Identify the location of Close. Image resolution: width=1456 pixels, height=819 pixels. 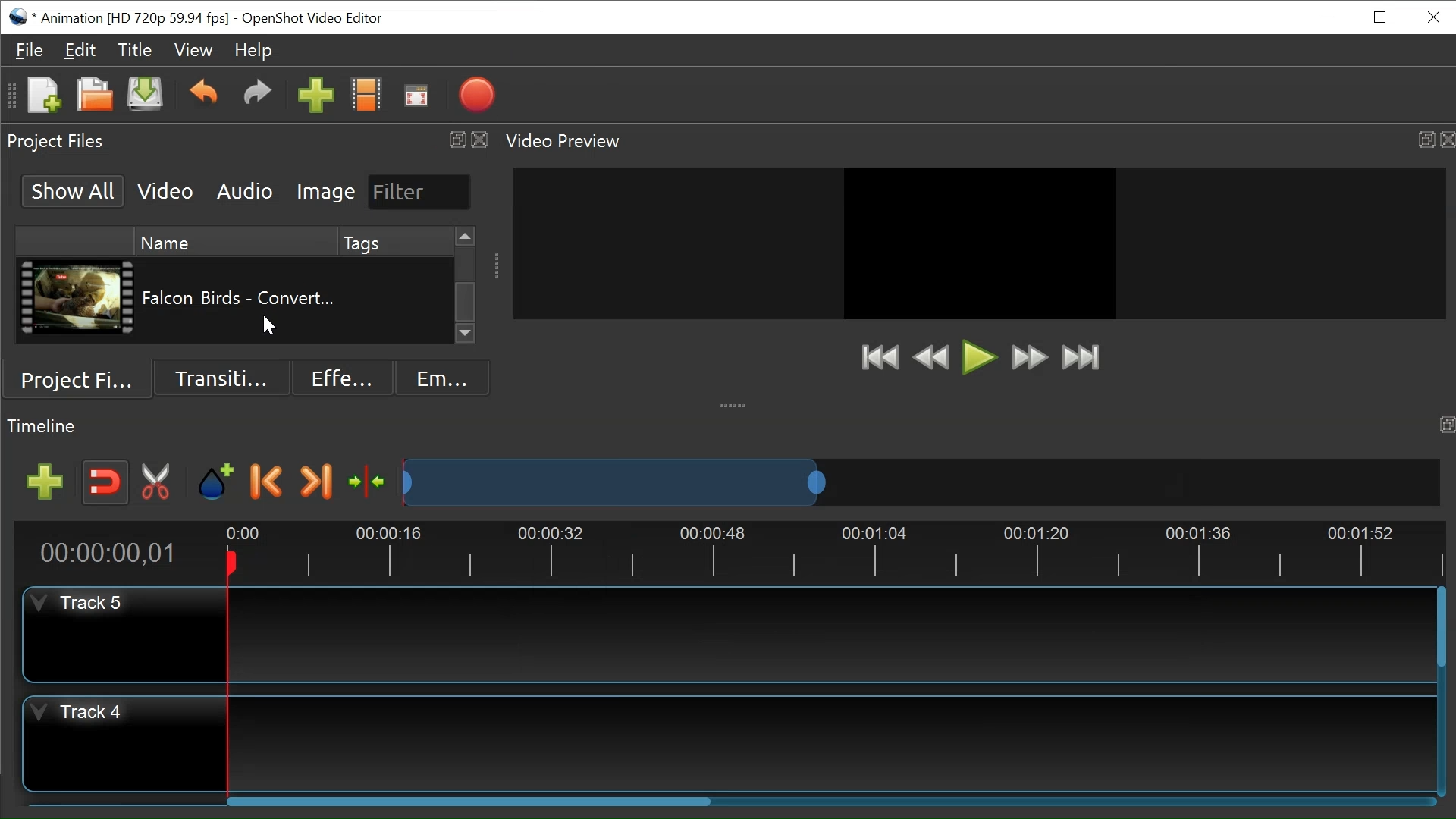
(1447, 140).